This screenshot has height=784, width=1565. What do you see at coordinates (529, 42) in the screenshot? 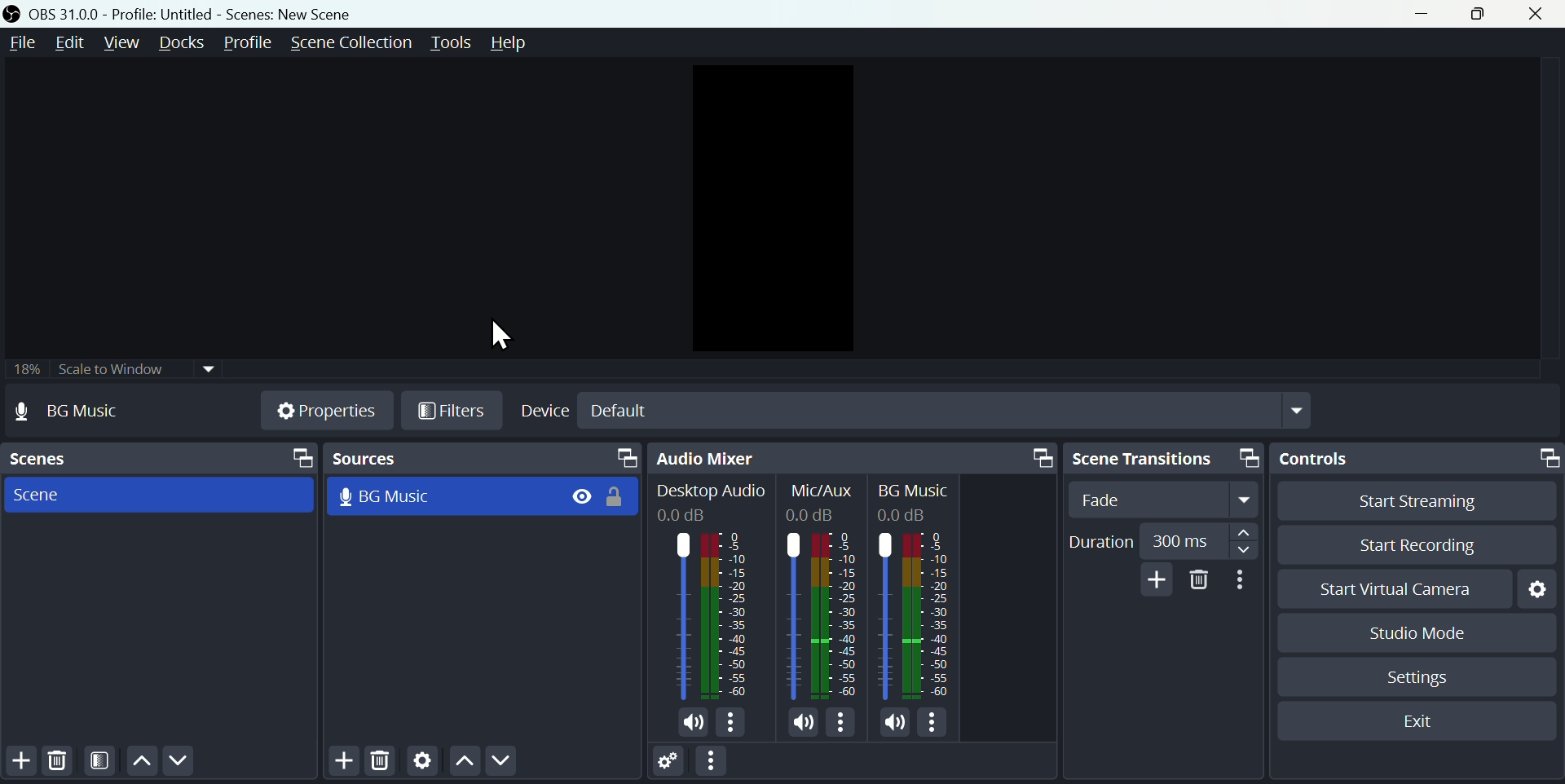
I see `help` at bounding box center [529, 42].